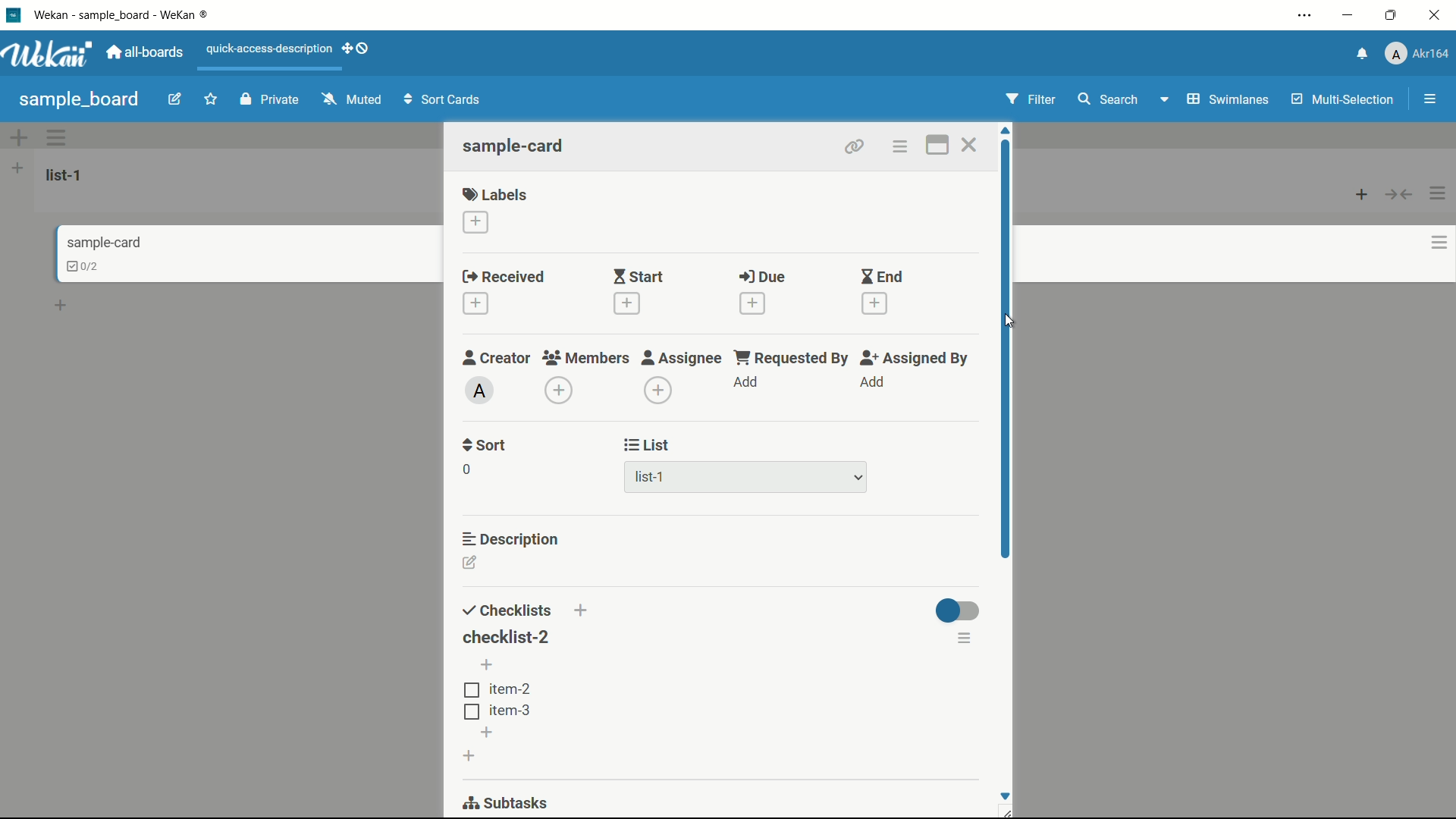 The image size is (1456, 819). Describe the element at coordinates (1363, 52) in the screenshot. I see `notifications` at that location.